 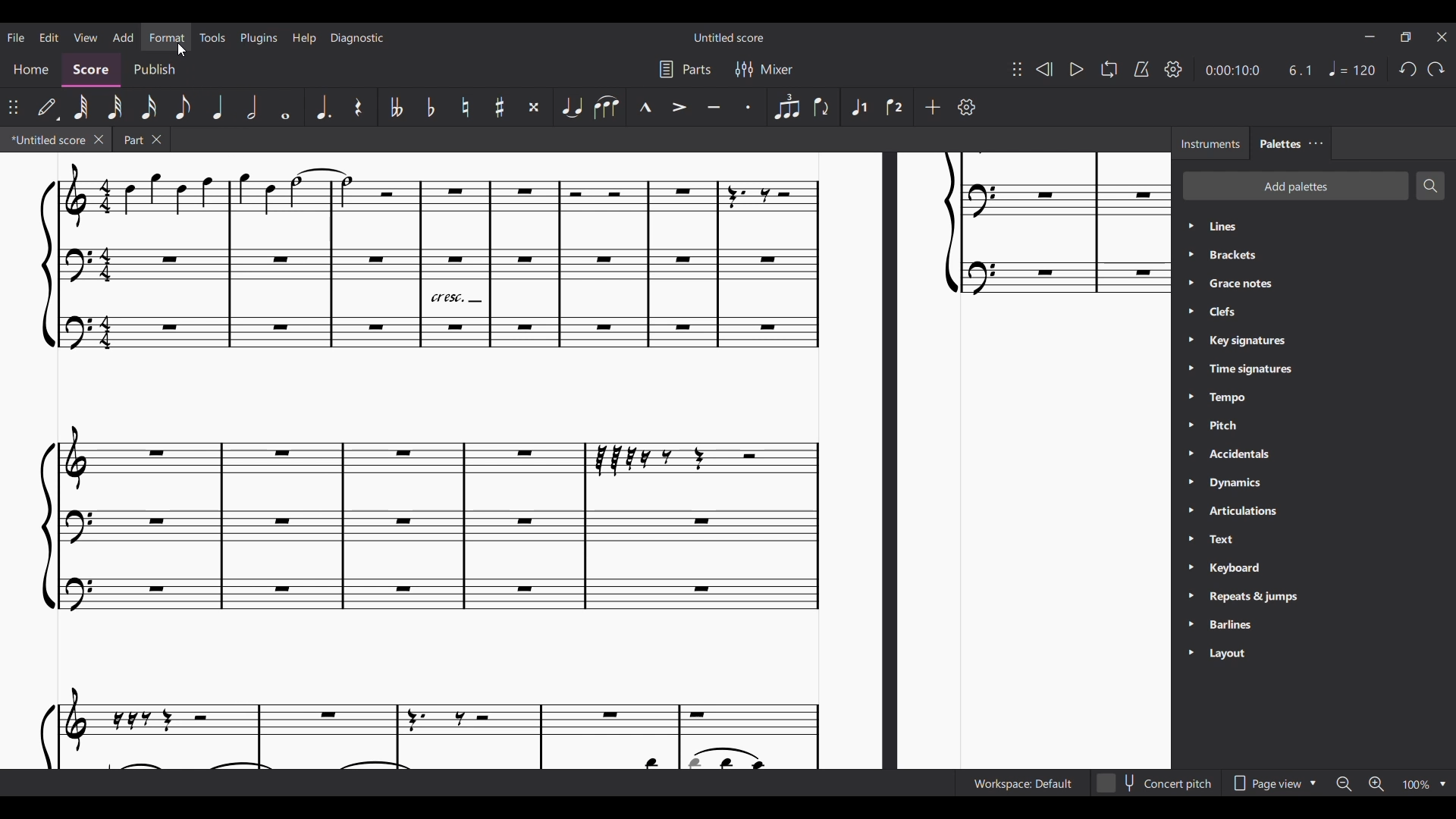 I want to click on Score name, so click(x=730, y=36).